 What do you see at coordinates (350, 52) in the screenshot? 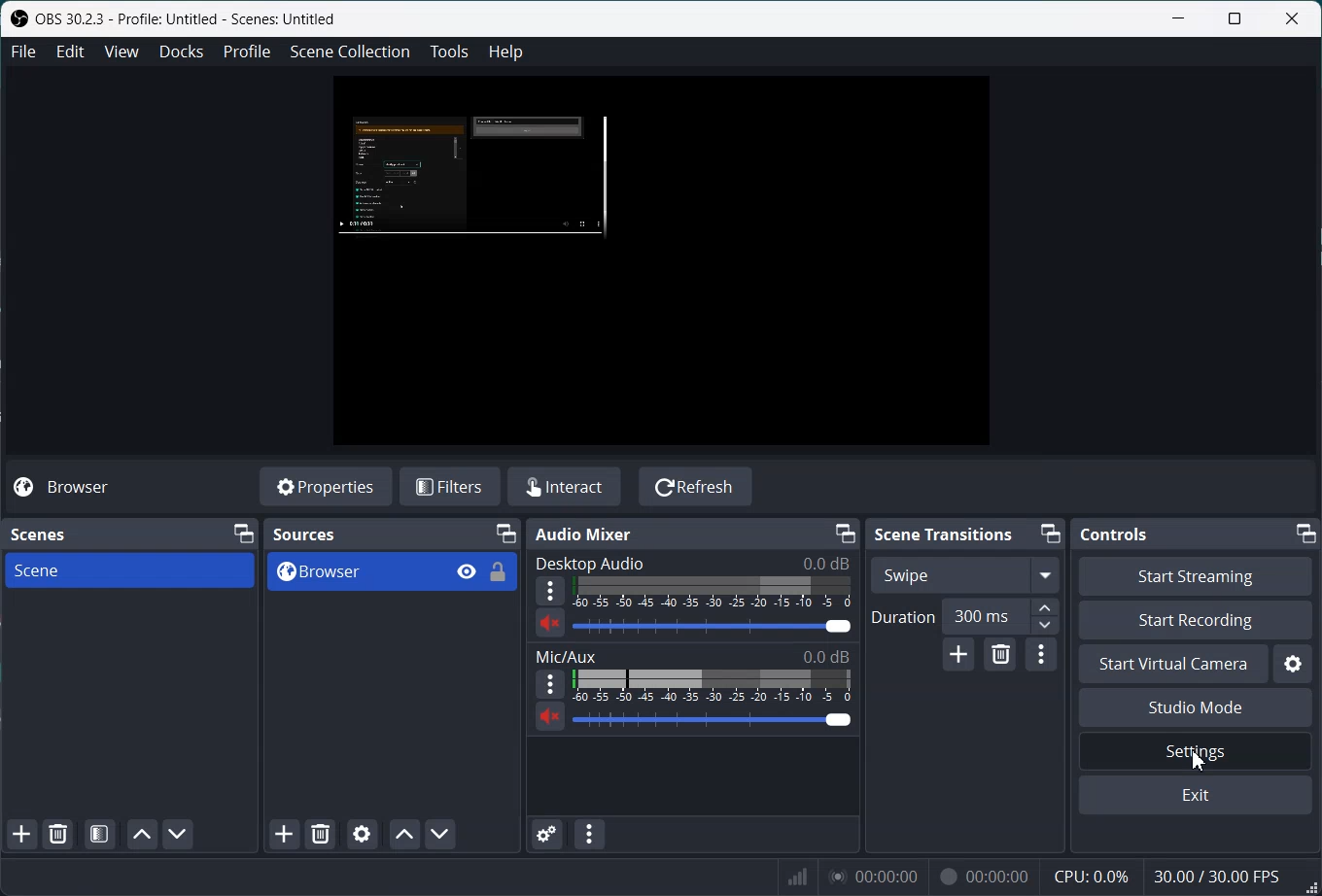
I see `Scene Collection` at bounding box center [350, 52].